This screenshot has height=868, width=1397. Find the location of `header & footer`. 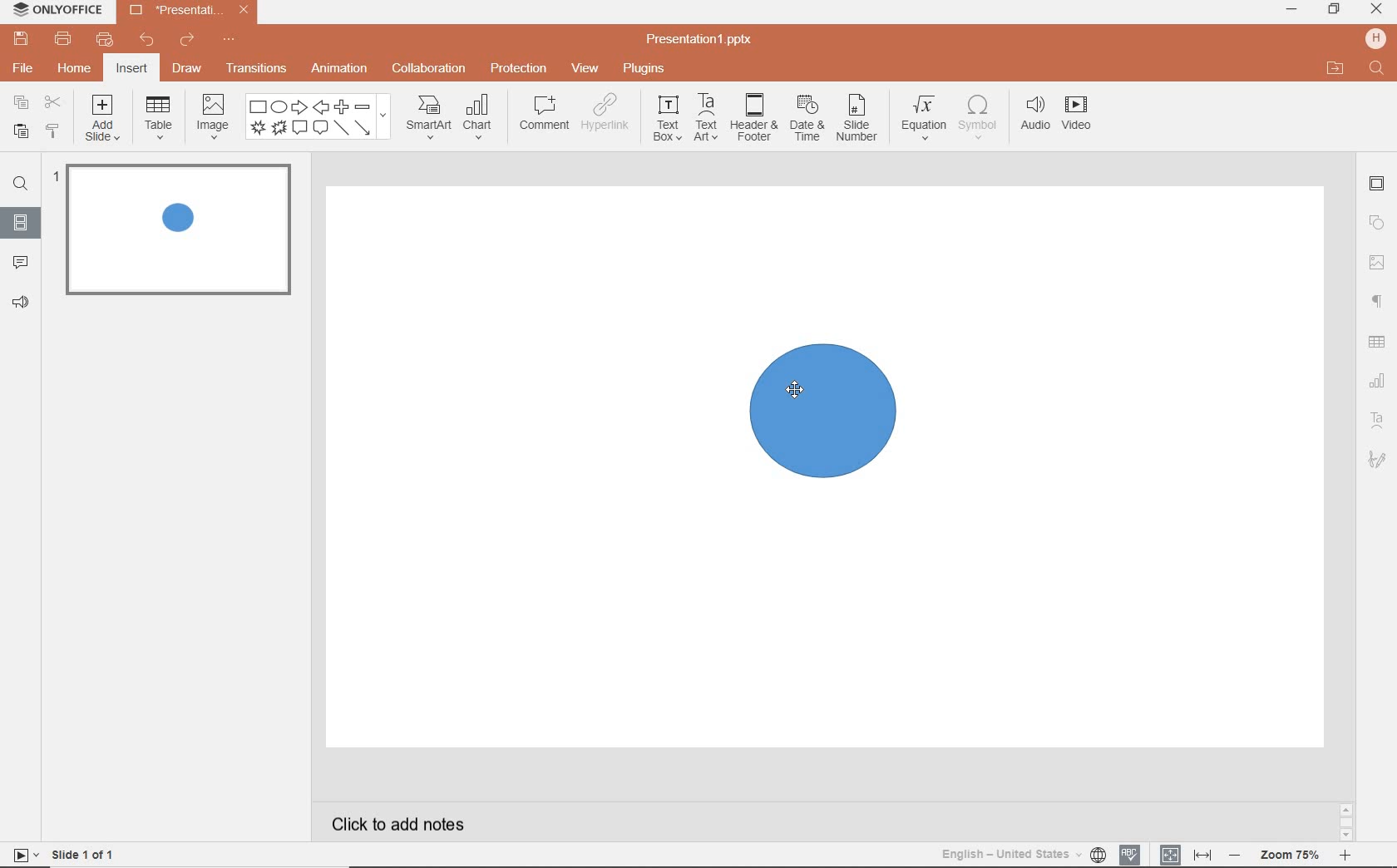

header & footer is located at coordinates (754, 120).